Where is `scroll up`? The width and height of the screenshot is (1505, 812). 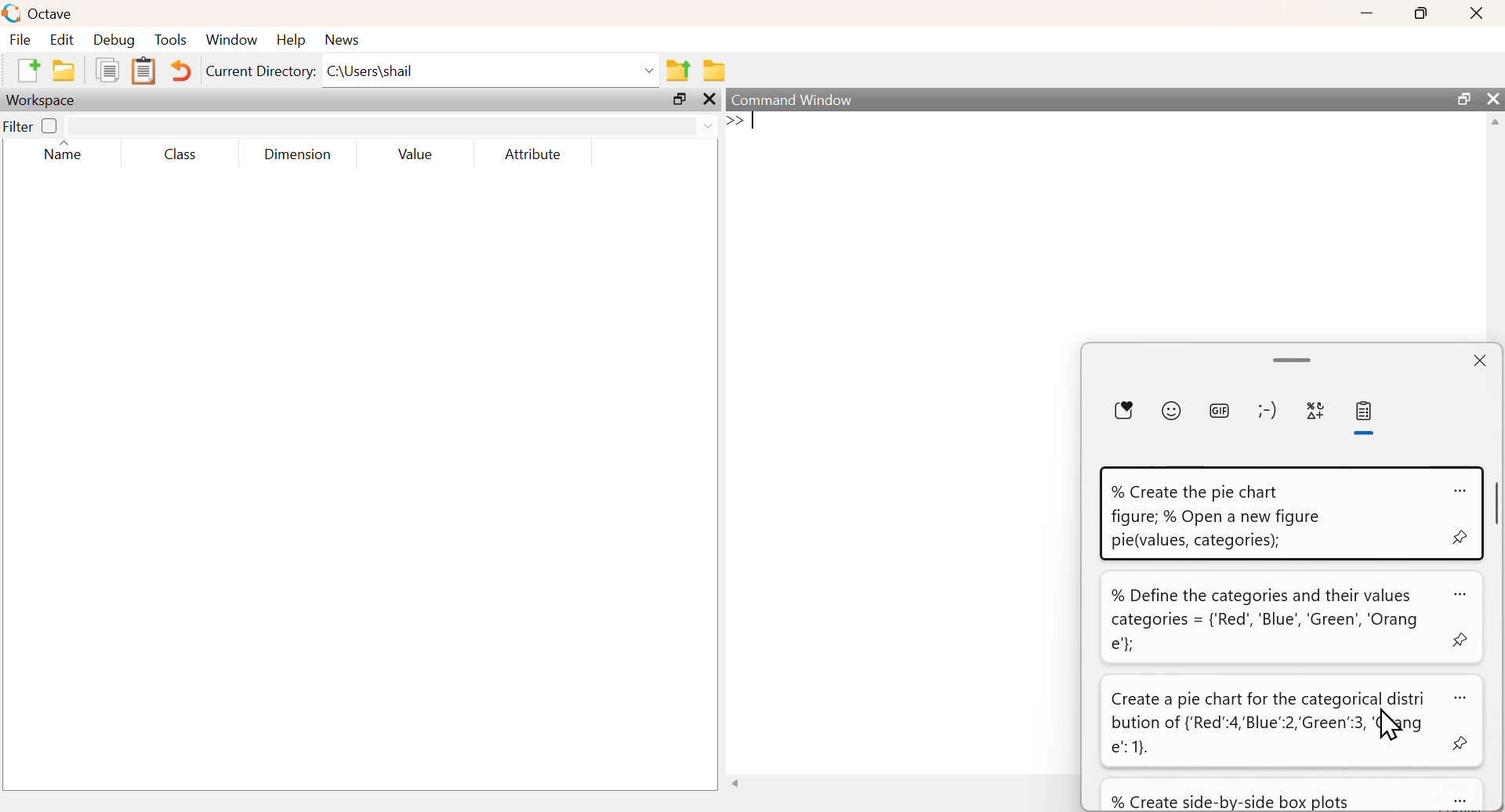
scroll up is located at coordinates (1495, 123).